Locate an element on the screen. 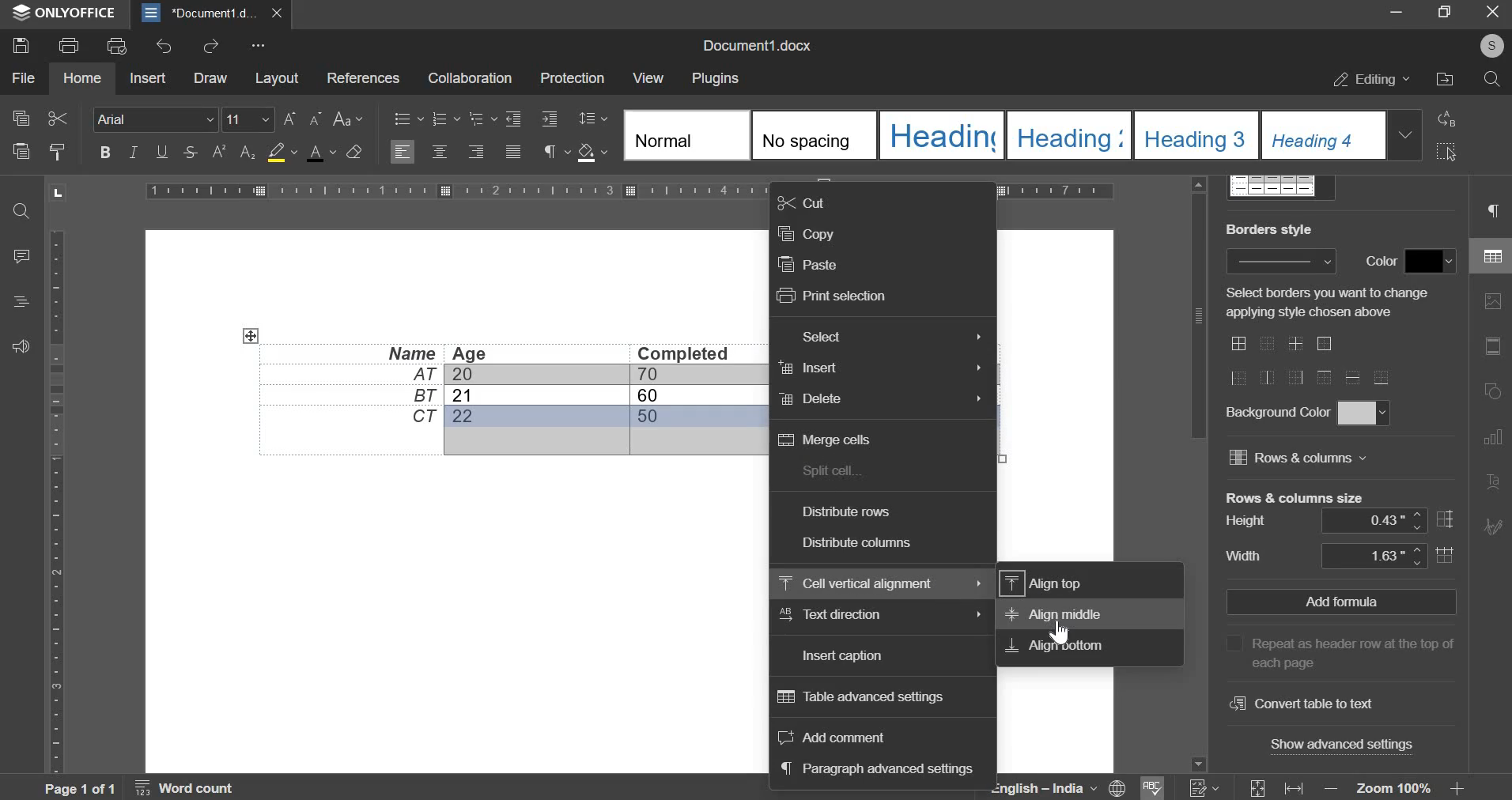 The image size is (1512, 800). bullets is located at coordinates (408, 117).